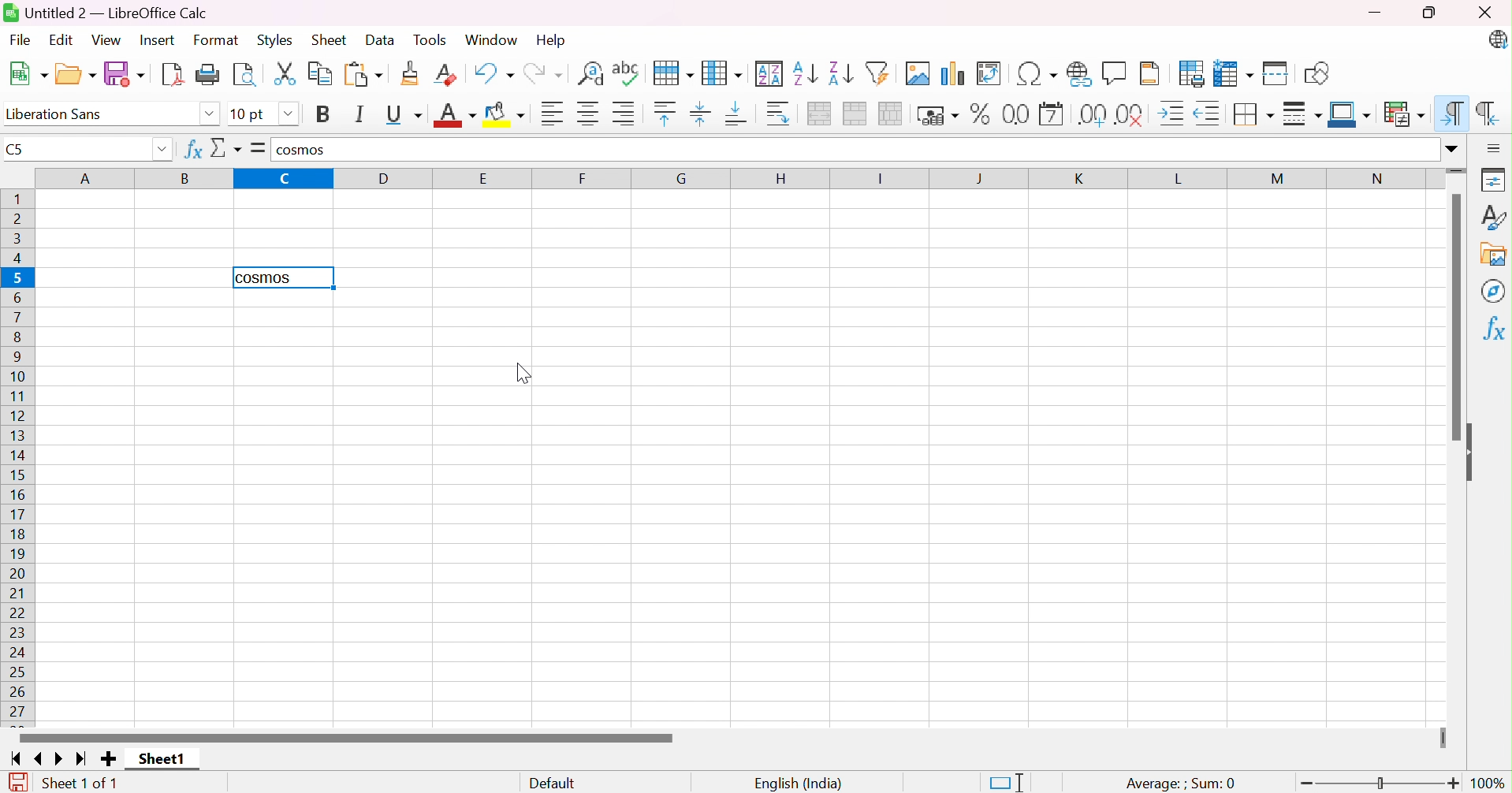 The image size is (1512, 793). I want to click on Drop Down, so click(208, 116).